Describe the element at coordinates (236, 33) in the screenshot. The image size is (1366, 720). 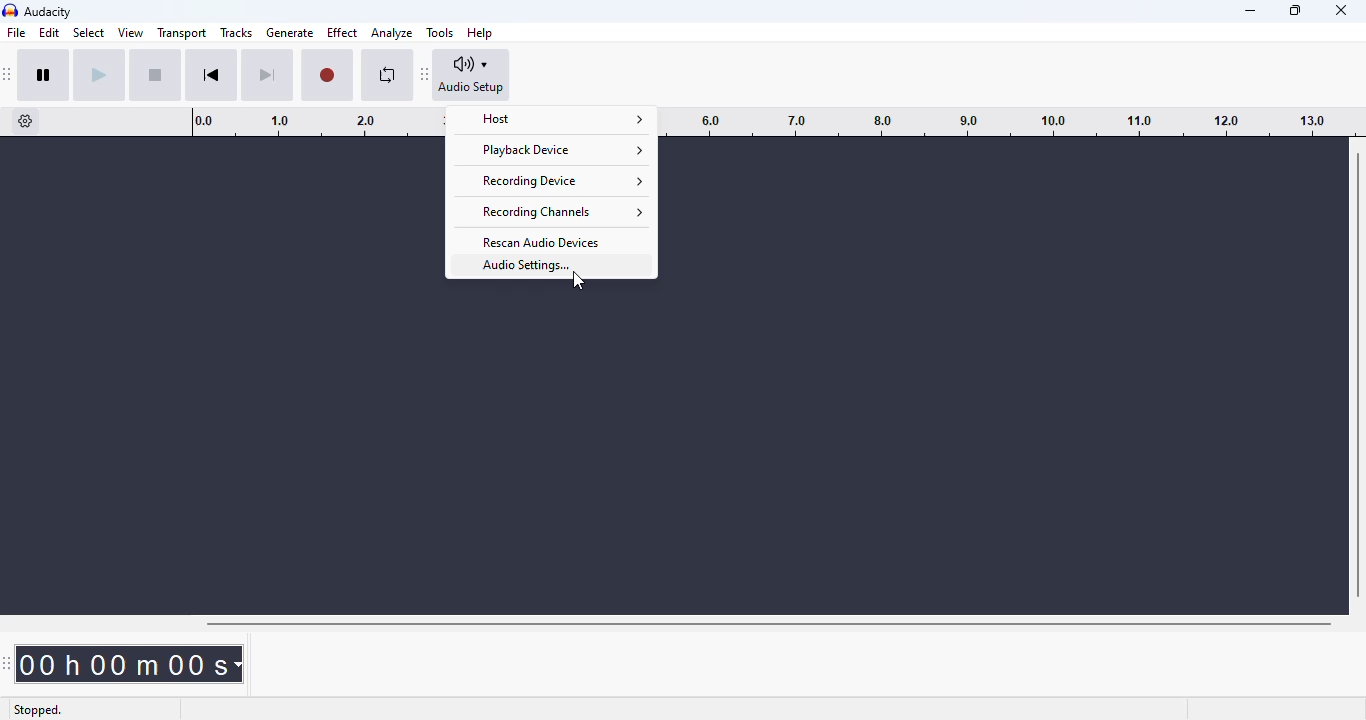
I see `tracks` at that location.